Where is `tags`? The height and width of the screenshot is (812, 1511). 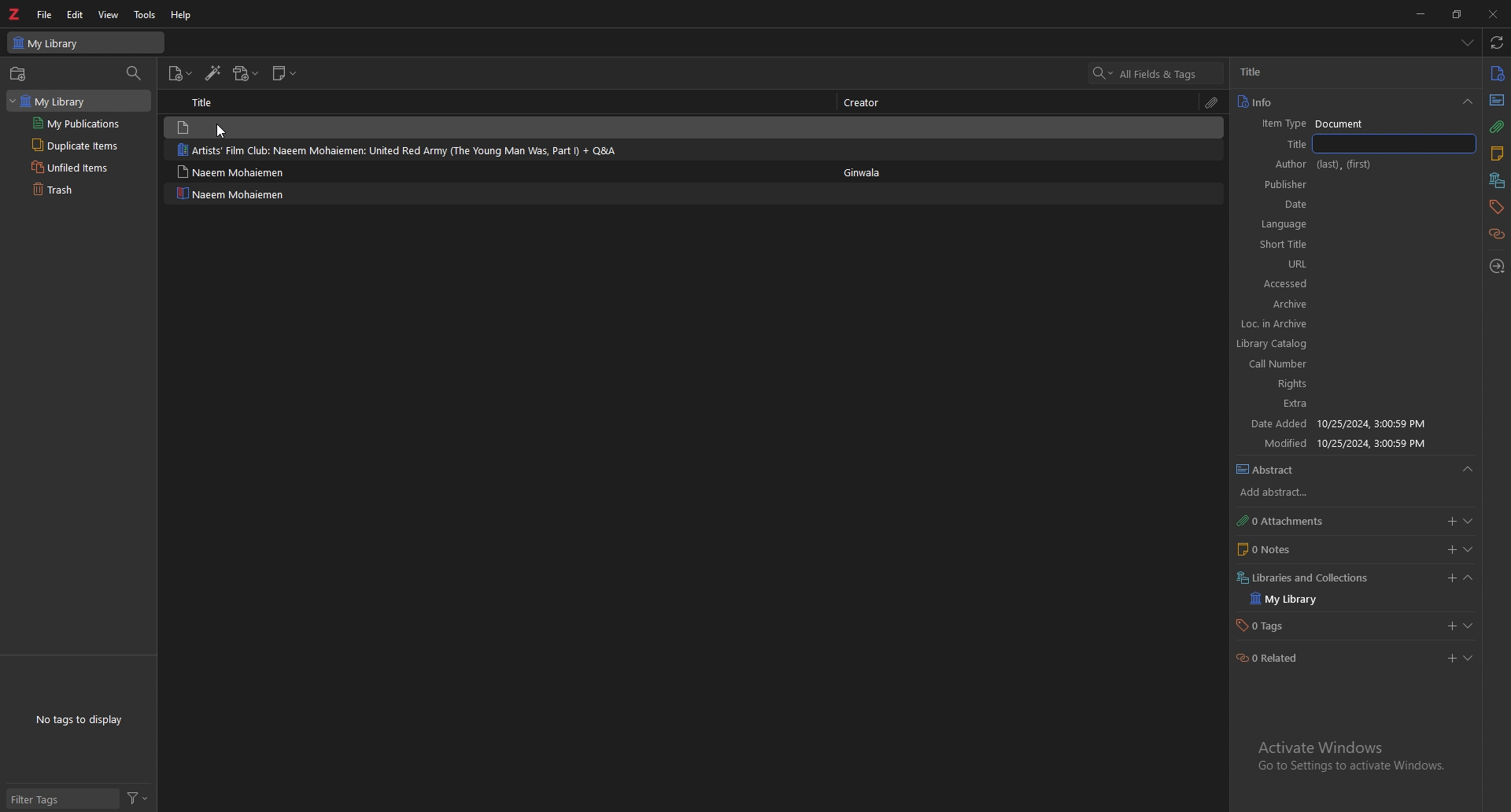 tags is located at coordinates (1496, 206).